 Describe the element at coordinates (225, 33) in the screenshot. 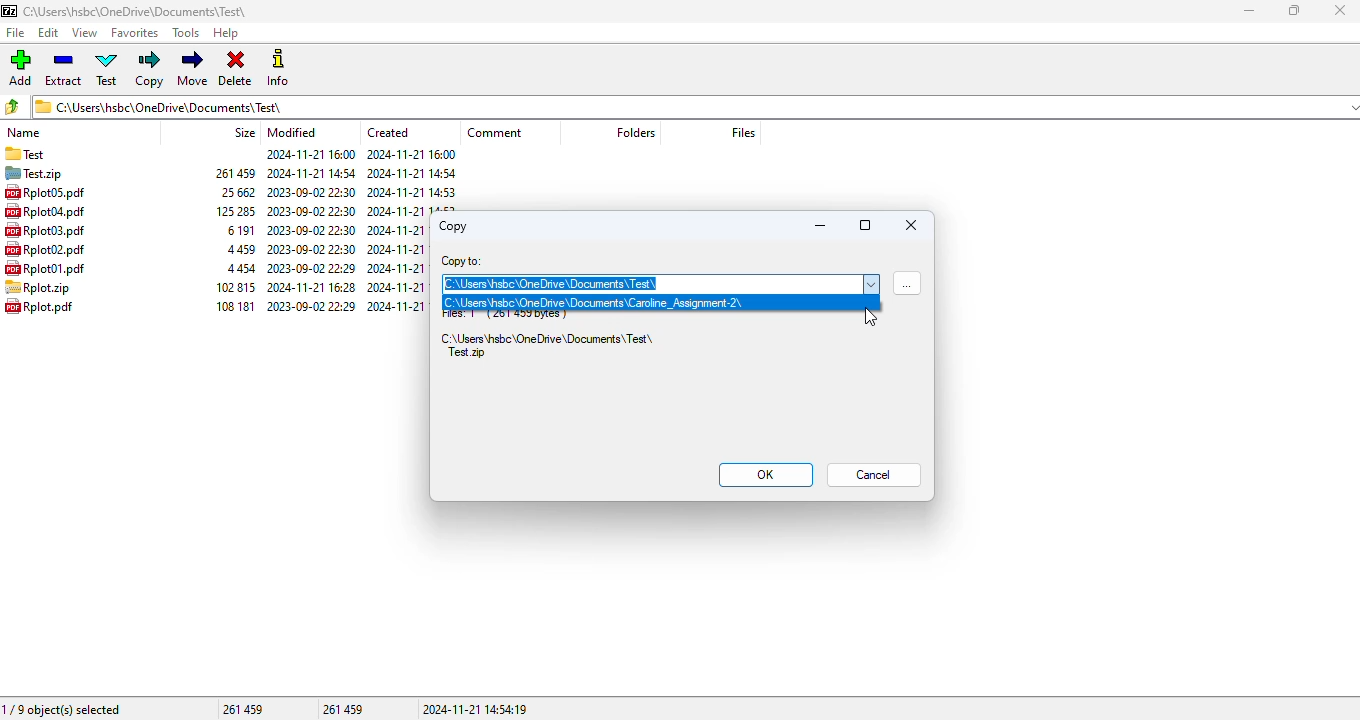

I see `help` at that location.